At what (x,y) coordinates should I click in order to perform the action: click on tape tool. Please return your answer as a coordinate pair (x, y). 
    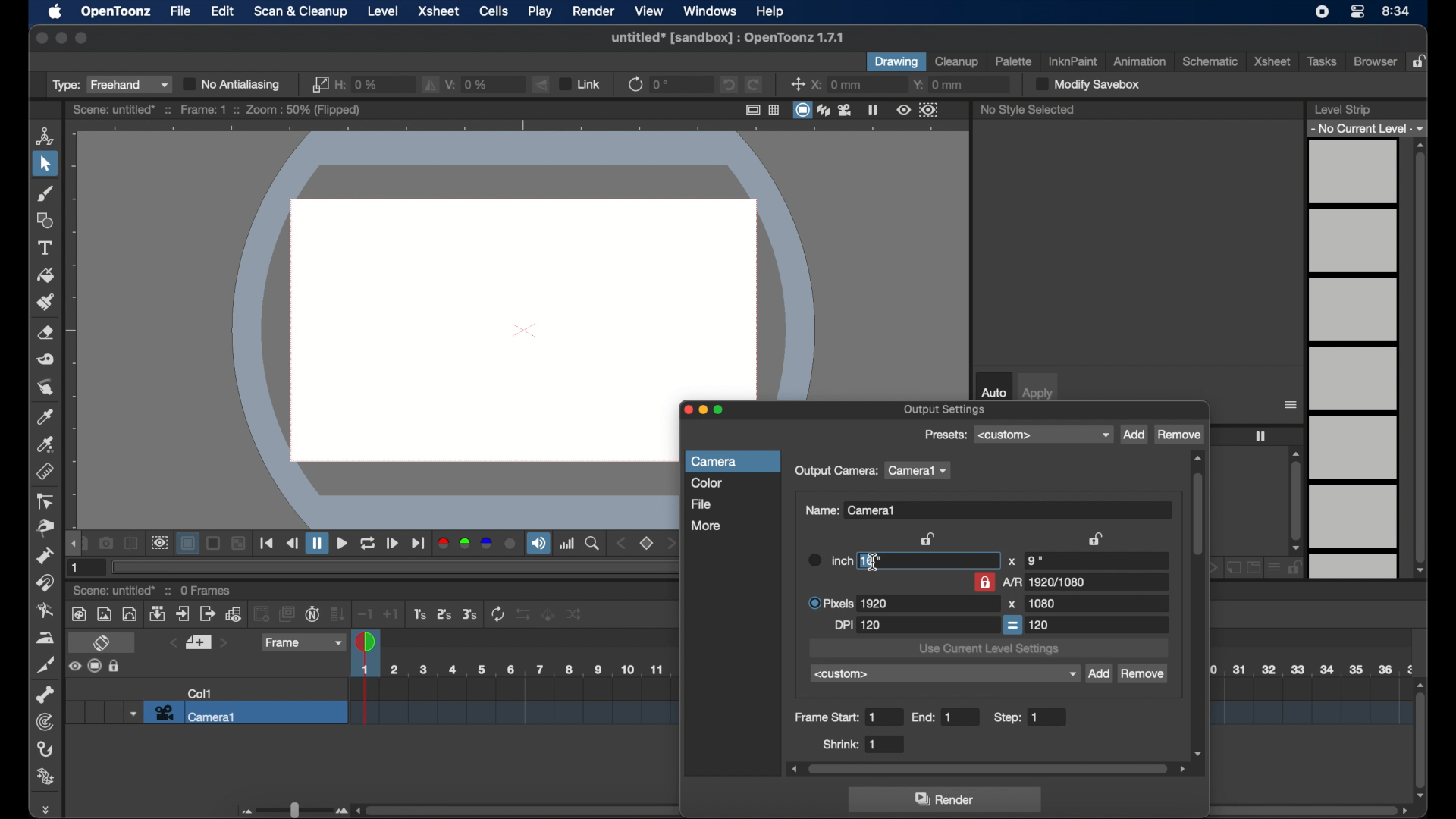
    Looking at the image, I should click on (46, 359).